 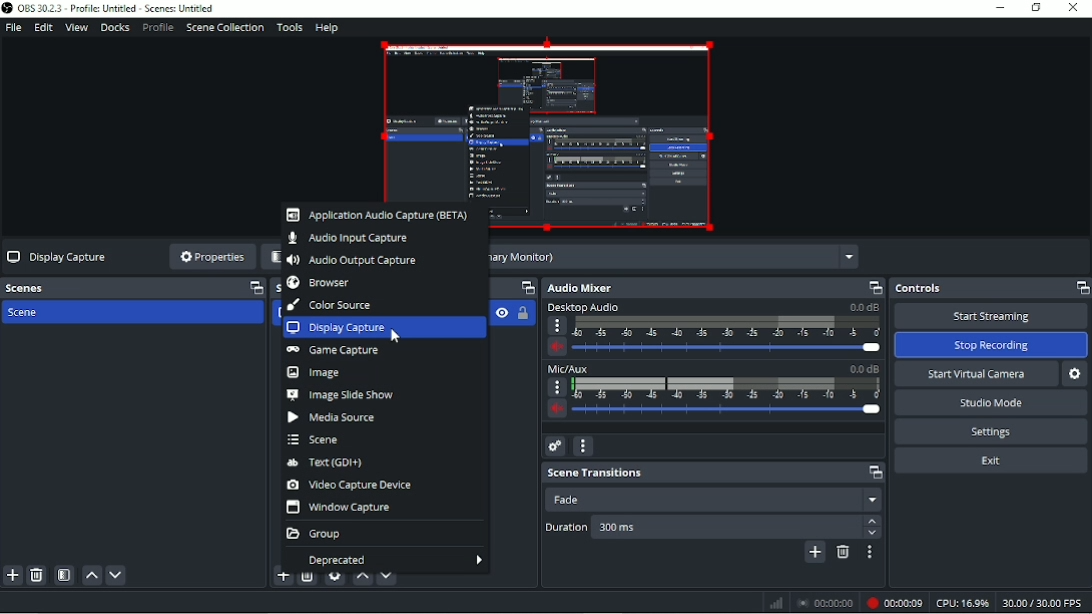 What do you see at coordinates (134, 287) in the screenshot?
I see `Scenes` at bounding box center [134, 287].